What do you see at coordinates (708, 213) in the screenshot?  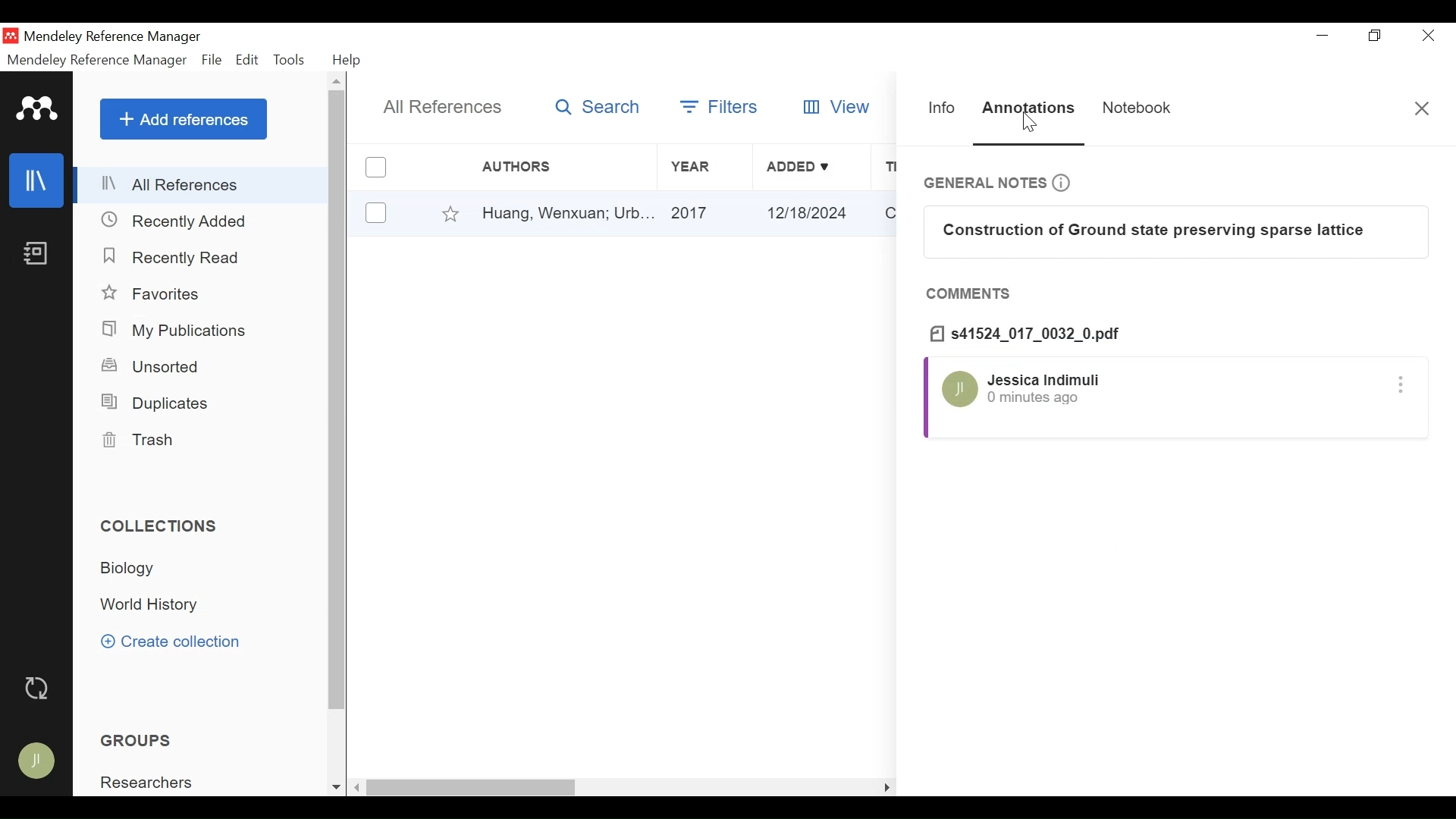 I see `2017` at bounding box center [708, 213].